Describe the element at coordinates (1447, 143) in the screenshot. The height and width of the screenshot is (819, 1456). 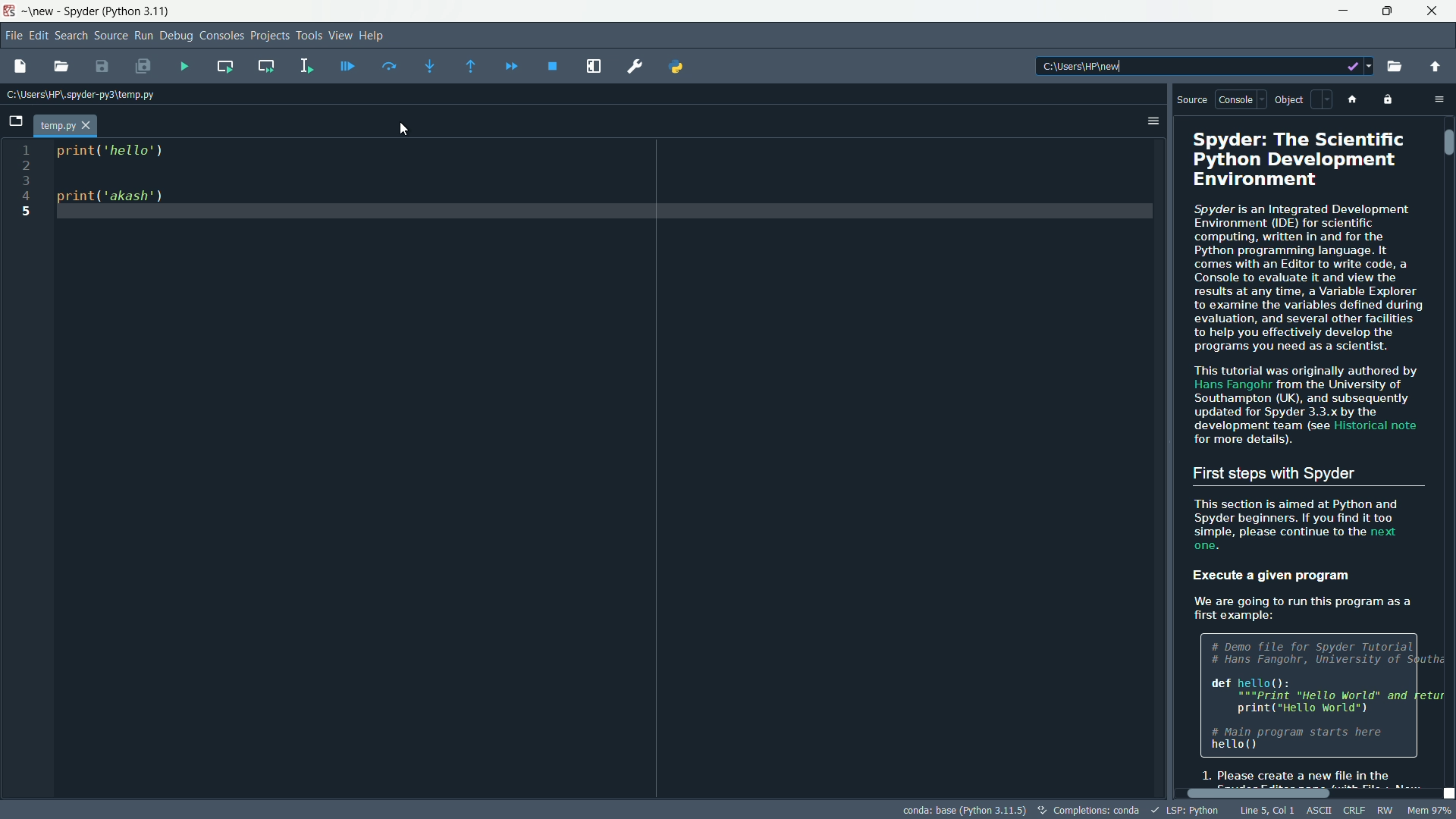
I see `Vertical Scroll bar` at that location.